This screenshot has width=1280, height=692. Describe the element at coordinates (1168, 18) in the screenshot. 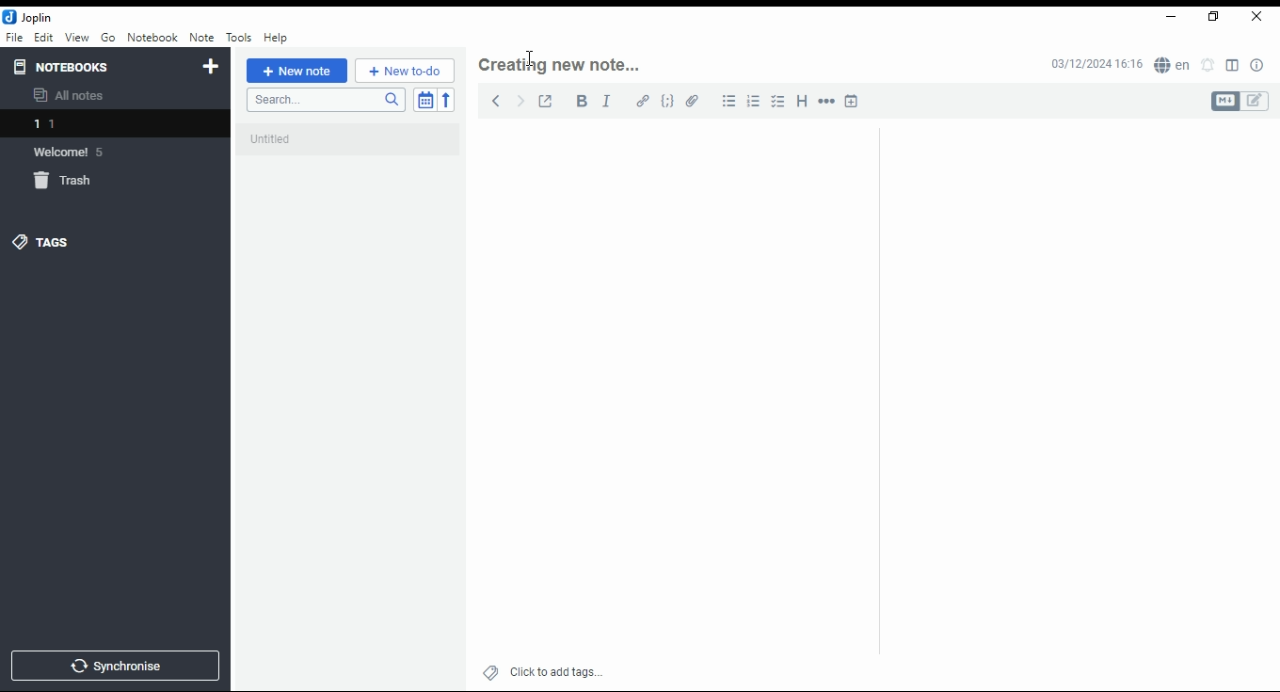

I see `minimize` at that location.